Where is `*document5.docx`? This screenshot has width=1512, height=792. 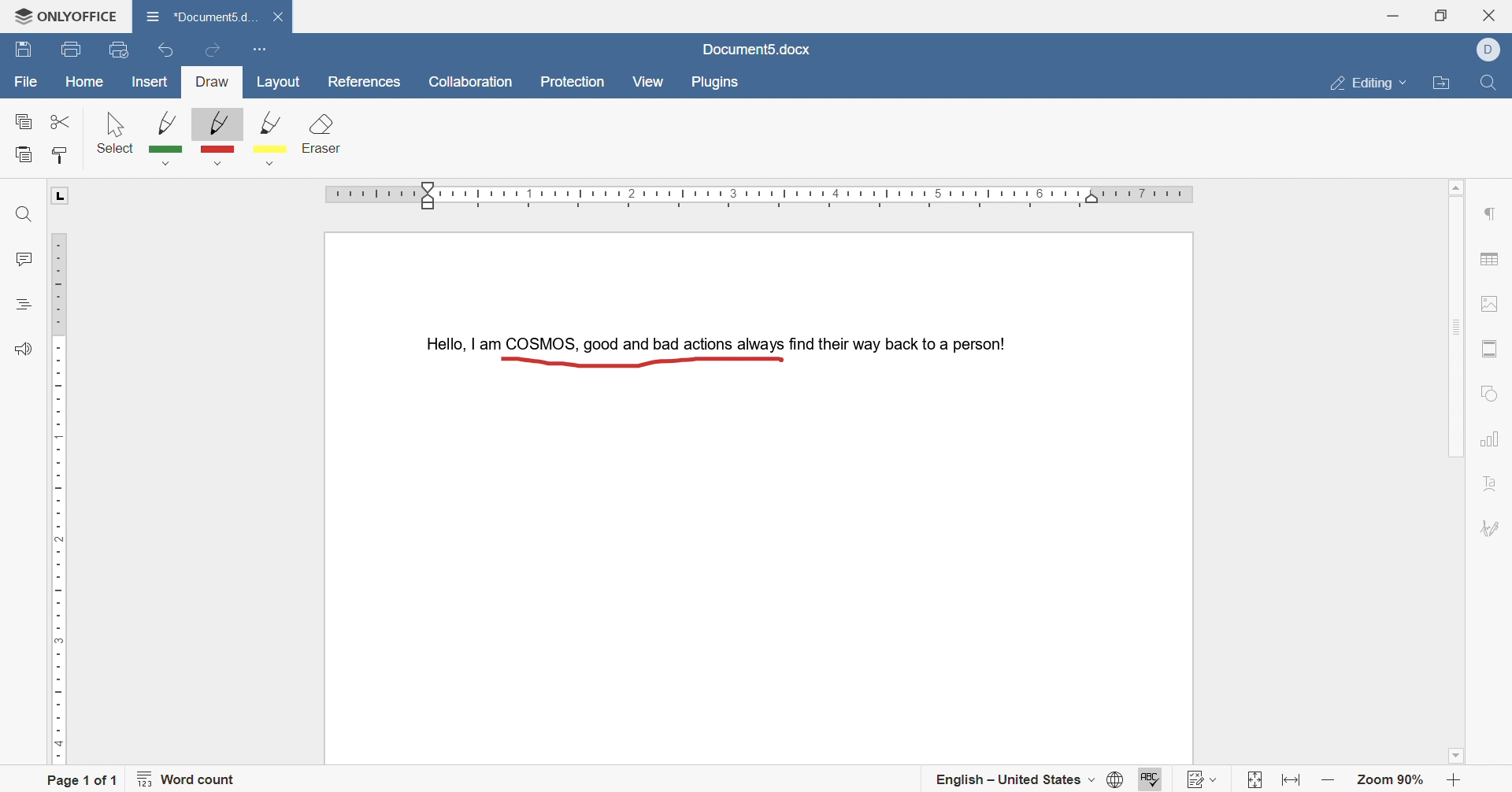 *document5.docx is located at coordinates (201, 14).